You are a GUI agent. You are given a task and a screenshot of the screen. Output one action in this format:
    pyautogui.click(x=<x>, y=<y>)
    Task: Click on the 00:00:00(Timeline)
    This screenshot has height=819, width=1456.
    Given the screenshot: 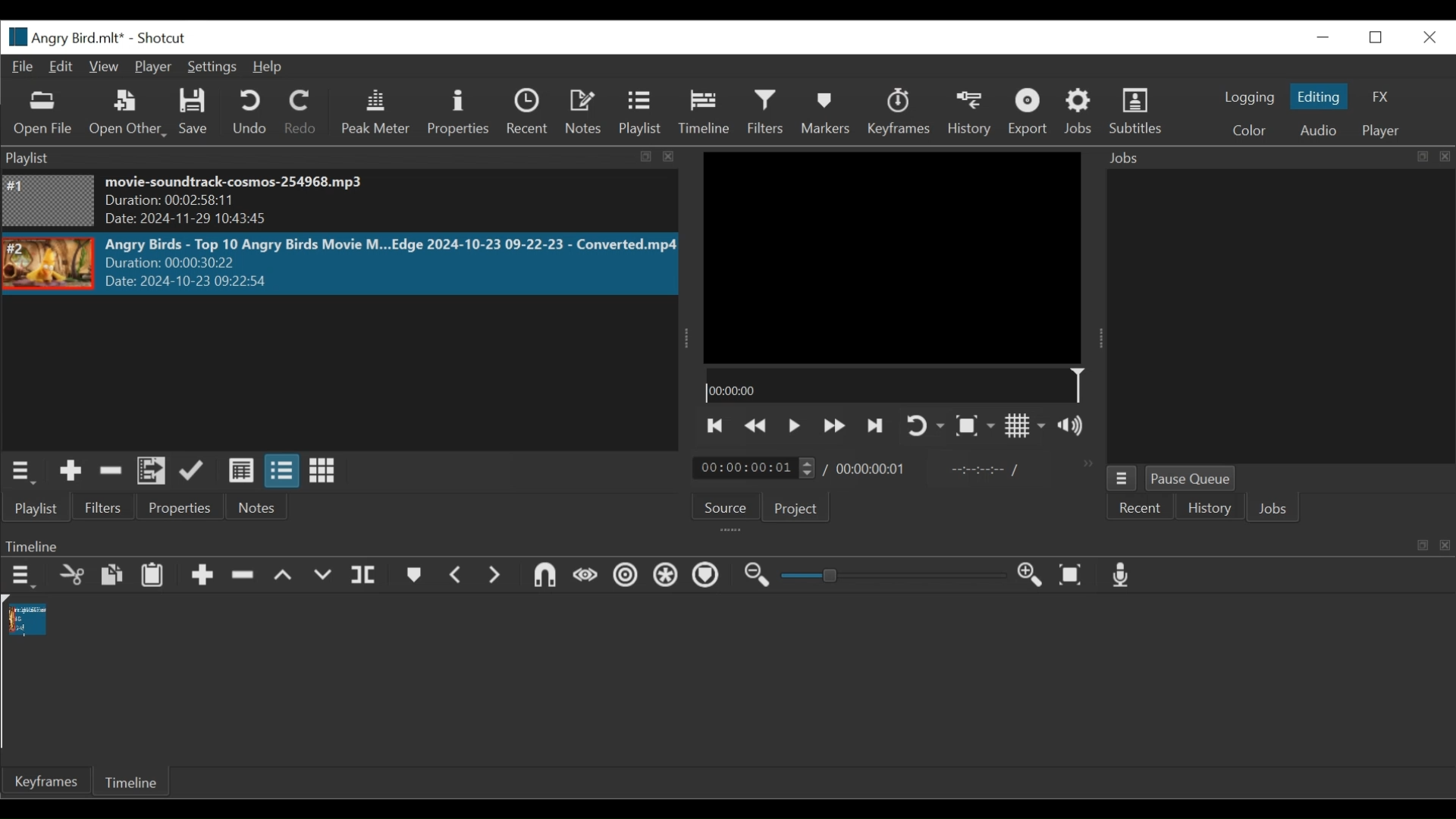 What is the action you would take?
    pyautogui.click(x=893, y=387)
    